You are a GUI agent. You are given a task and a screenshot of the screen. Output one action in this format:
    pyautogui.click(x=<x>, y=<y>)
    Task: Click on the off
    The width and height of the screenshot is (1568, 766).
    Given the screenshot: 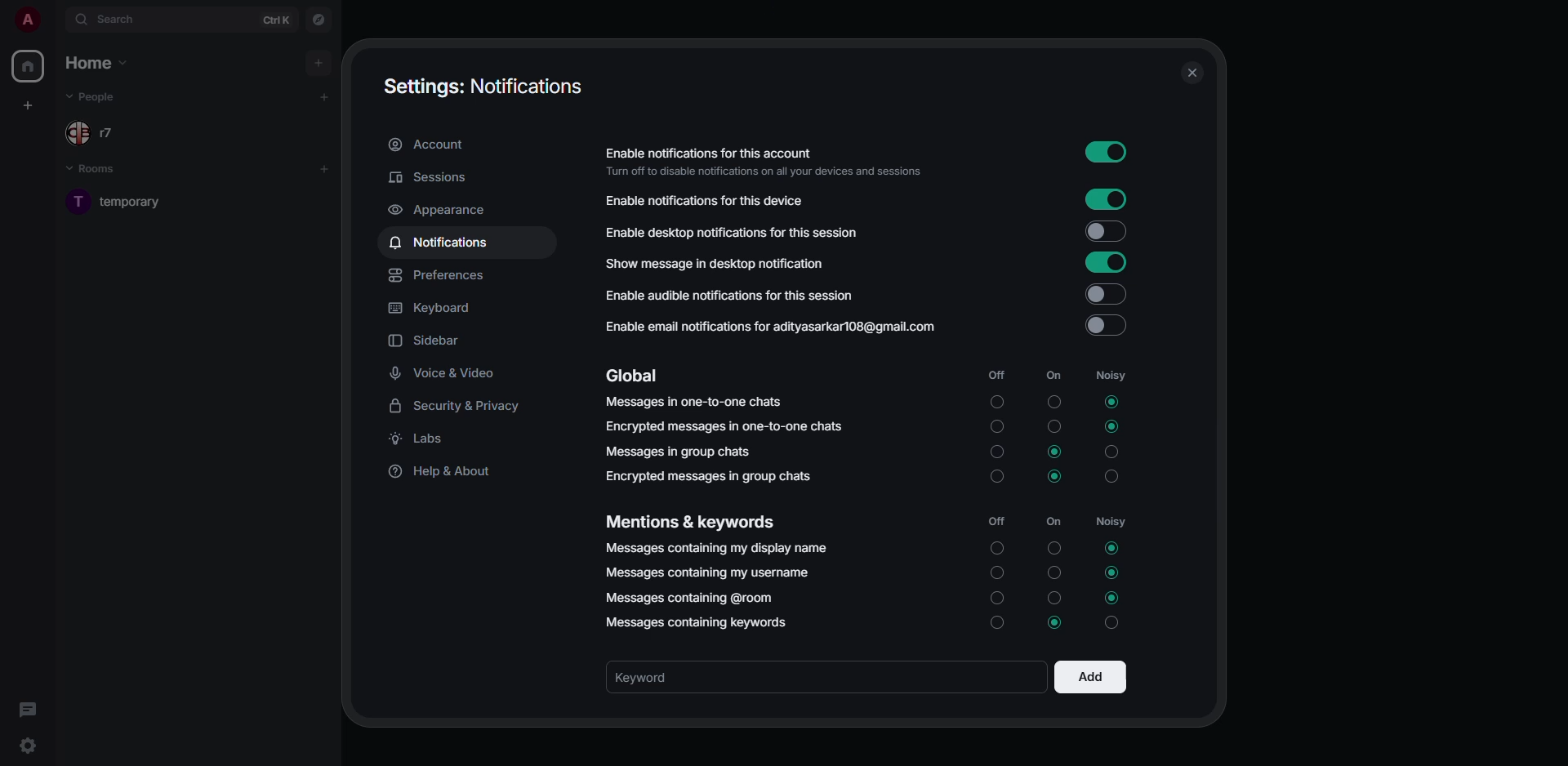 What is the action you would take?
    pyautogui.click(x=996, y=522)
    